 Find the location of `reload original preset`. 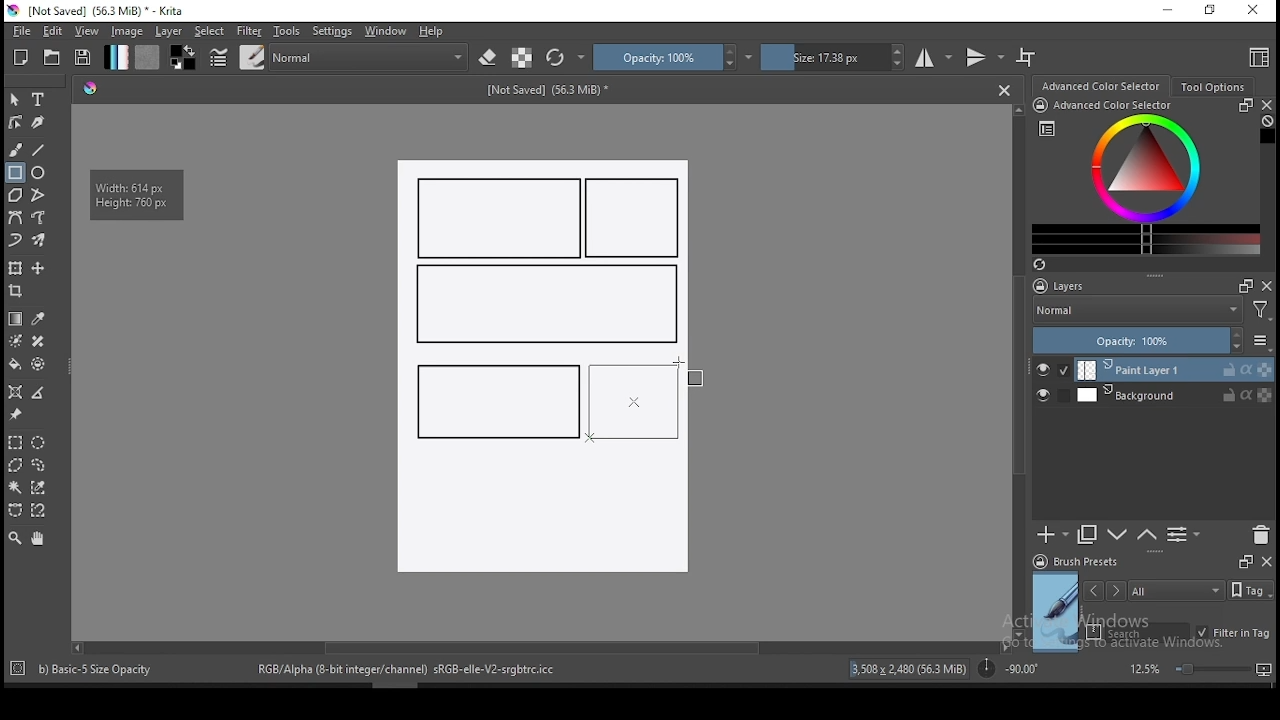

reload original preset is located at coordinates (566, 57).